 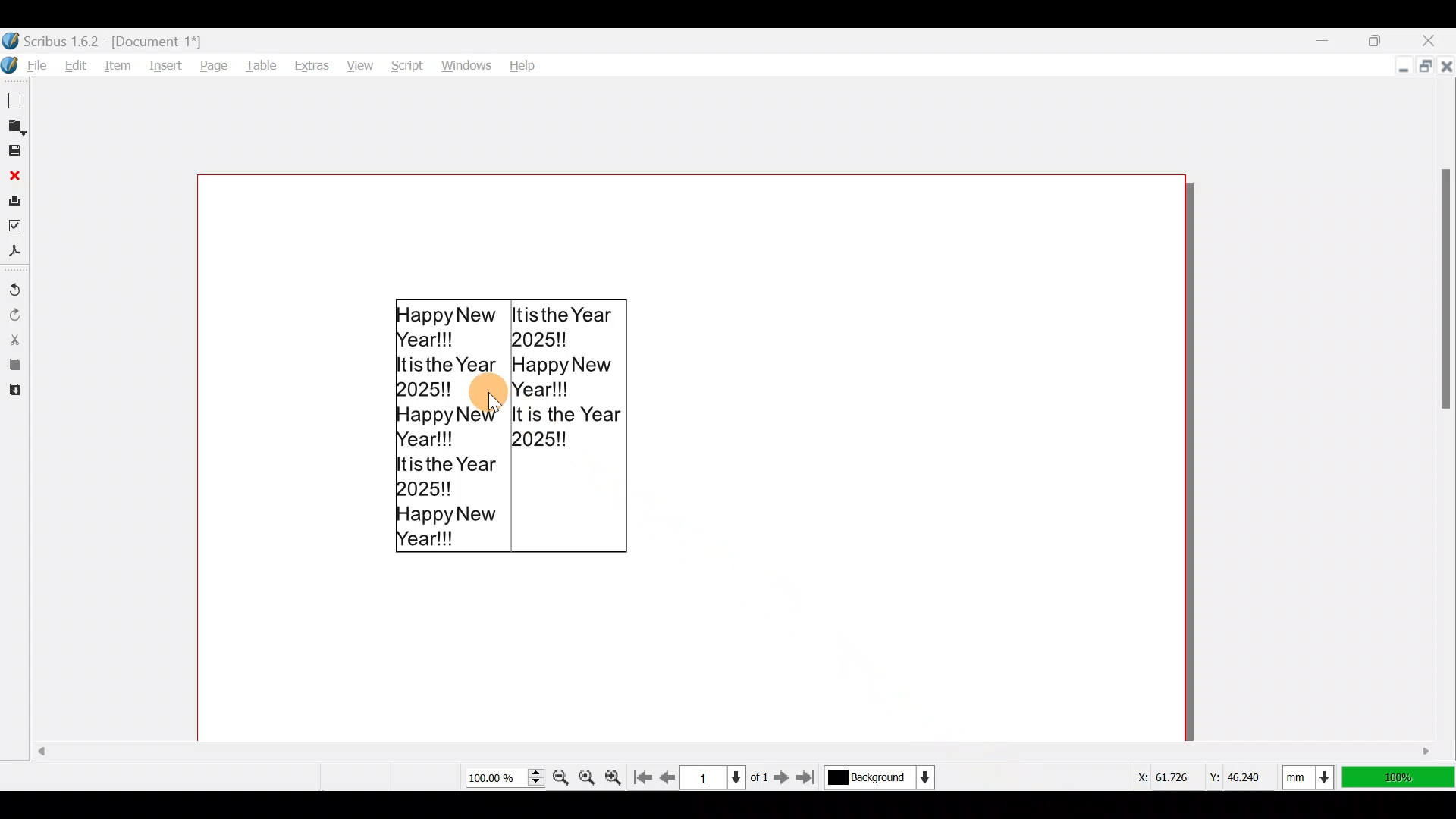 What do you see at coordinates (15, 200) in the screenshot?
I see `Print` at bounding box center [15, 200].